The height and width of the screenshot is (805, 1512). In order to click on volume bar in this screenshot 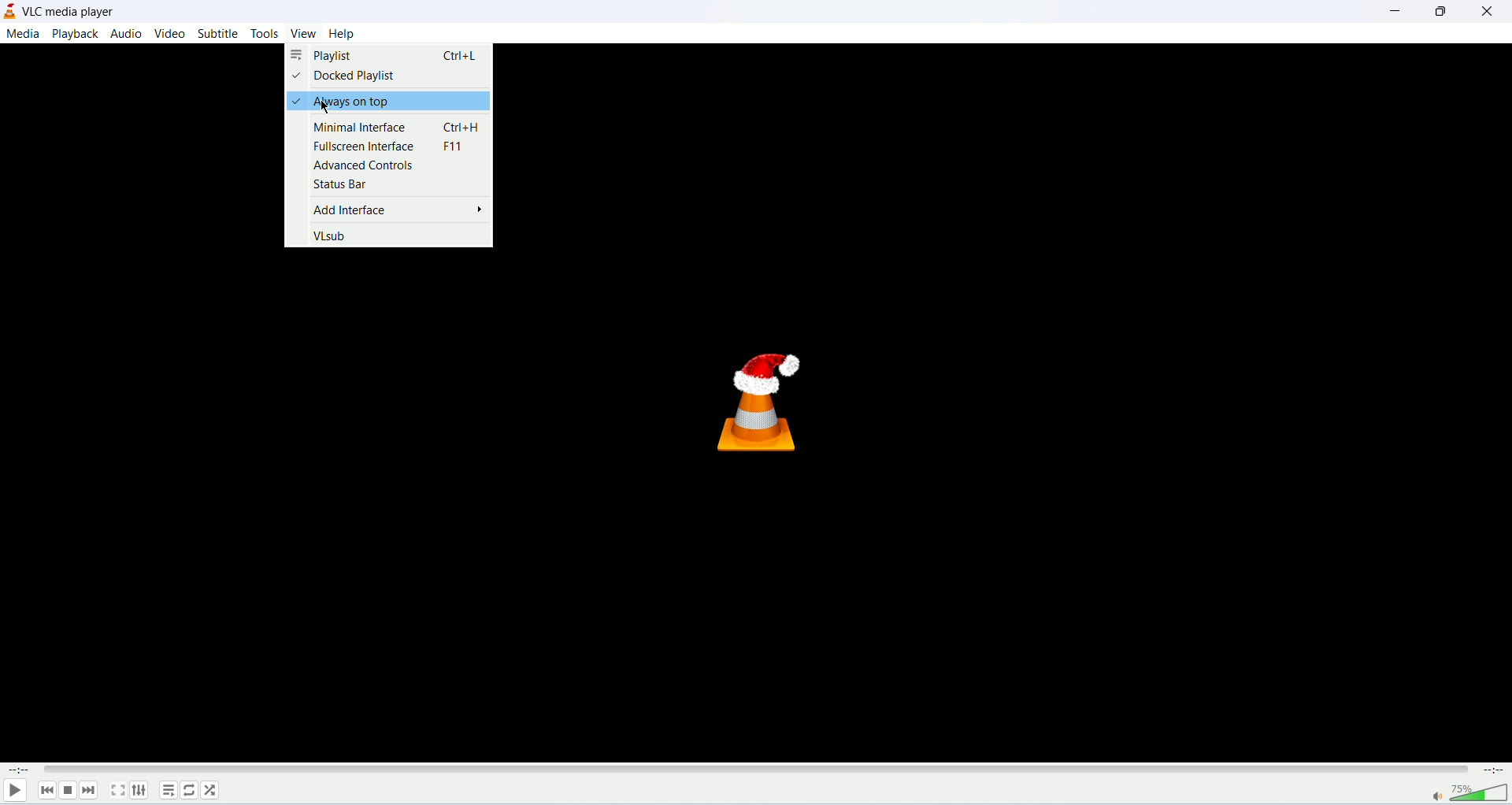, I will do `click(1469, 792)`.